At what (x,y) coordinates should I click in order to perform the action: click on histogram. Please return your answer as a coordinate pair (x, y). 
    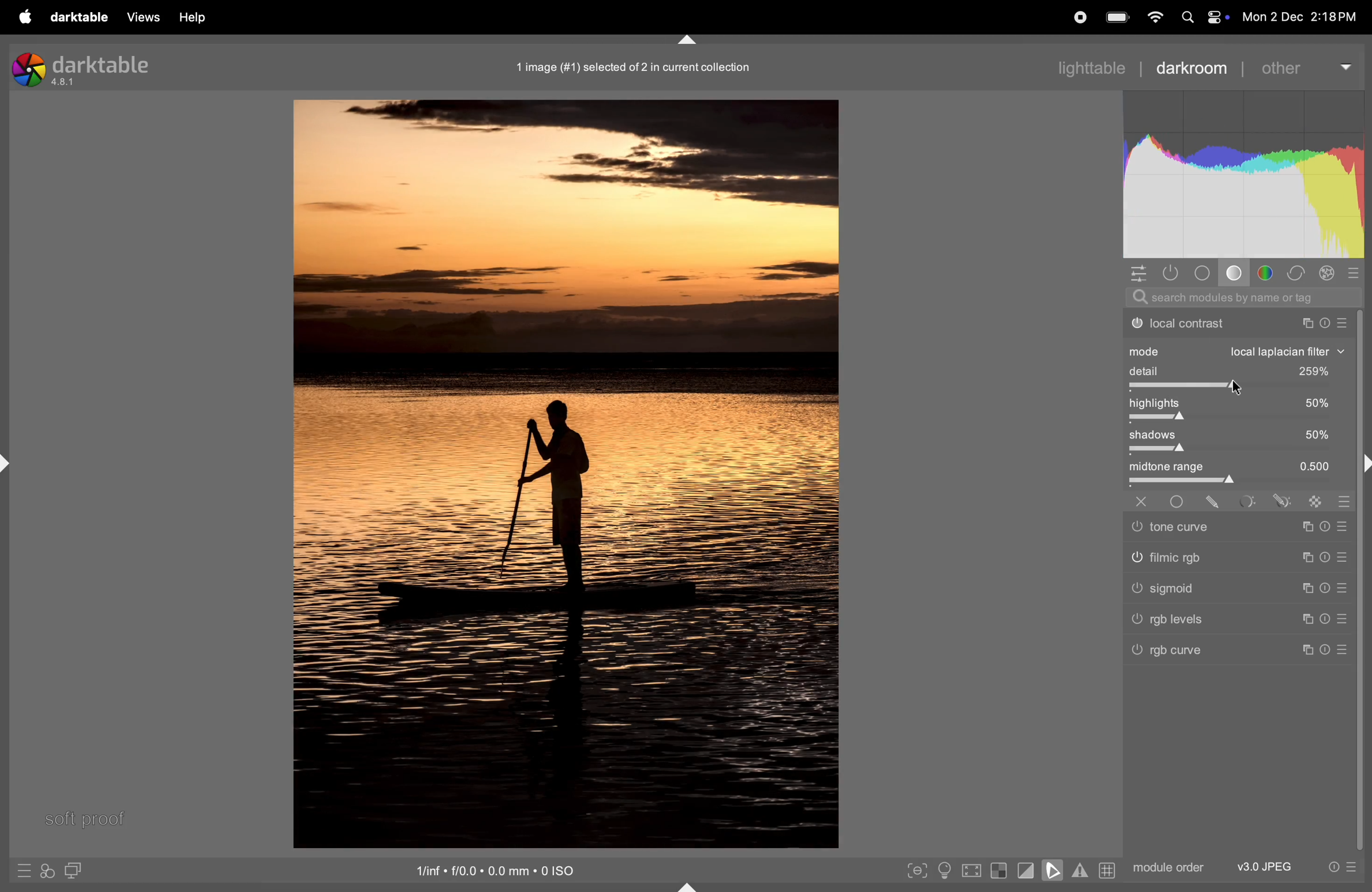
    Looking at the image, I should click on (1242, 173).